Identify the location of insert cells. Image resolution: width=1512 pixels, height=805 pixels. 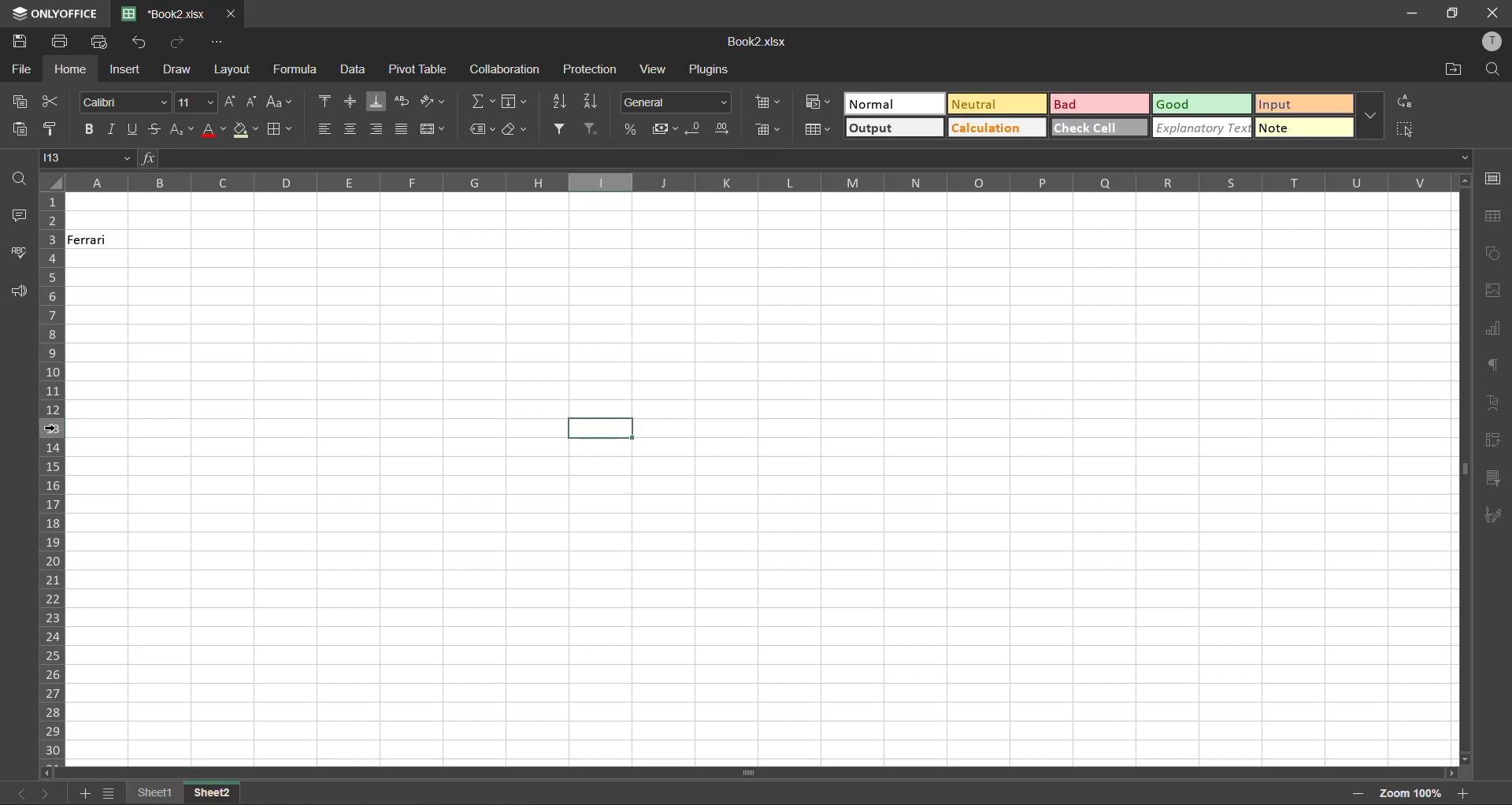
(769, 103).